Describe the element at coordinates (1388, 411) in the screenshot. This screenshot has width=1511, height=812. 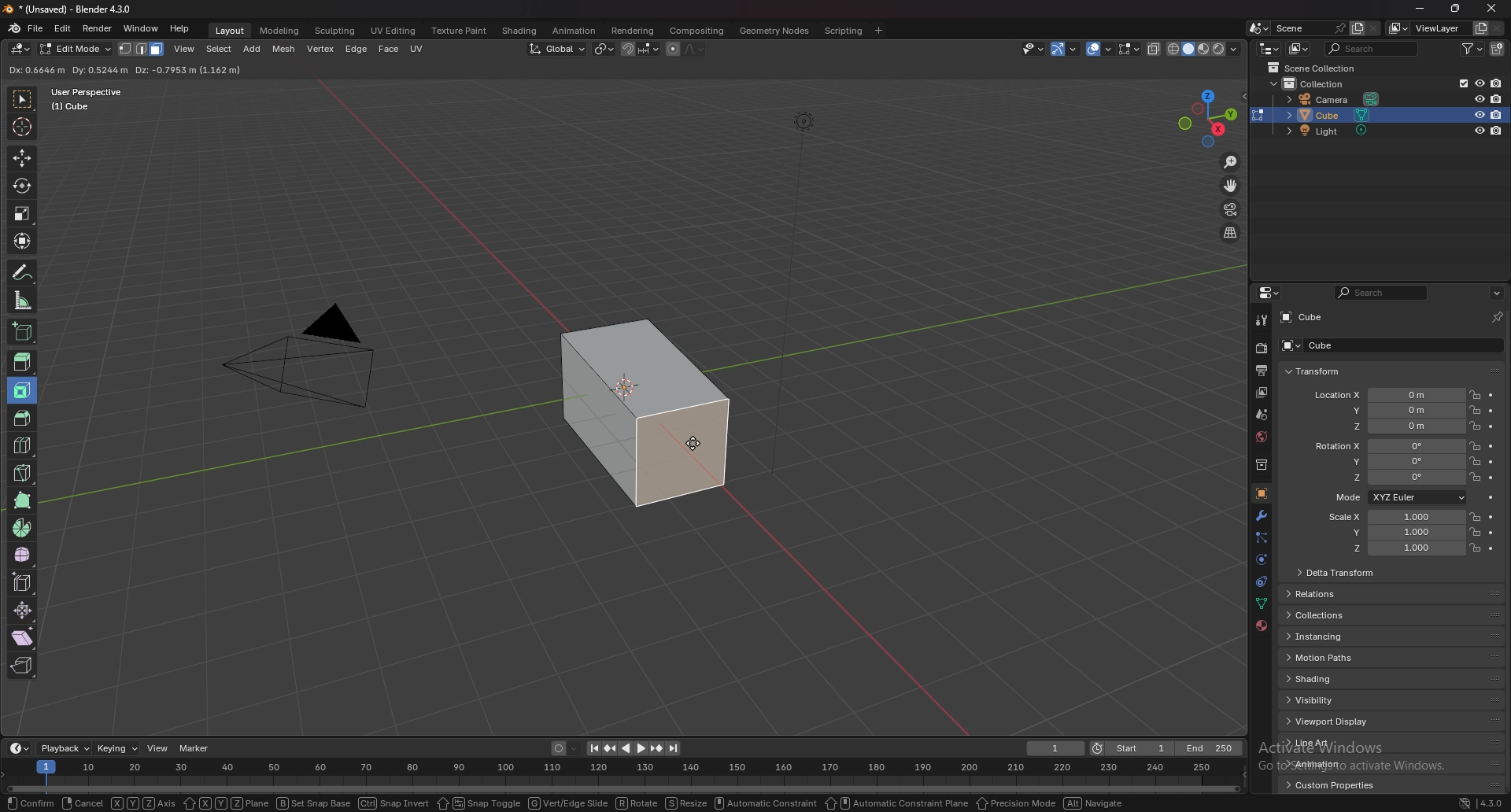
I see `location y` at that location.